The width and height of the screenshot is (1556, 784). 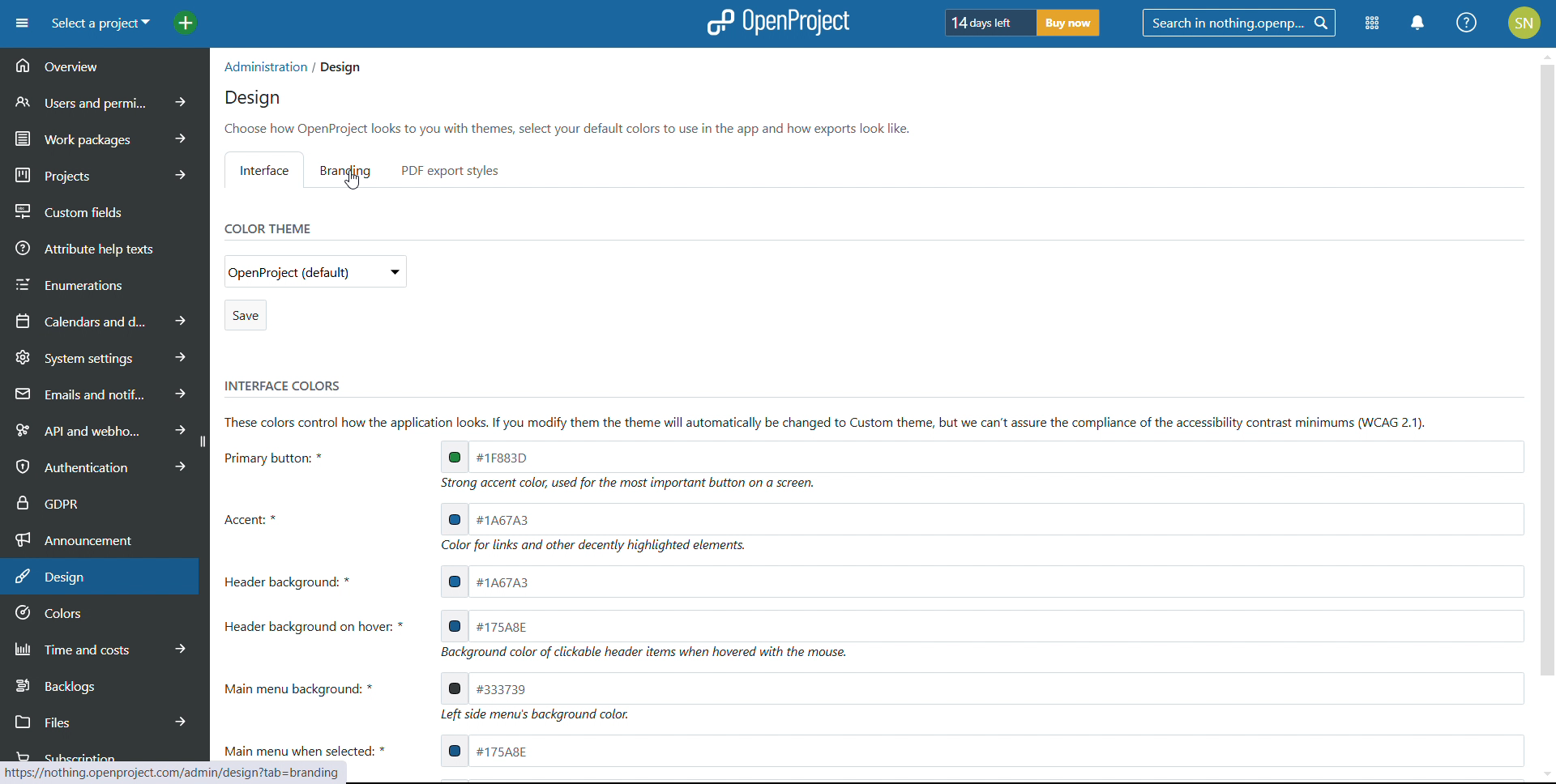 I want to click on Strong accent color, used for the most important button on a screen., so click(x=624, y=484).